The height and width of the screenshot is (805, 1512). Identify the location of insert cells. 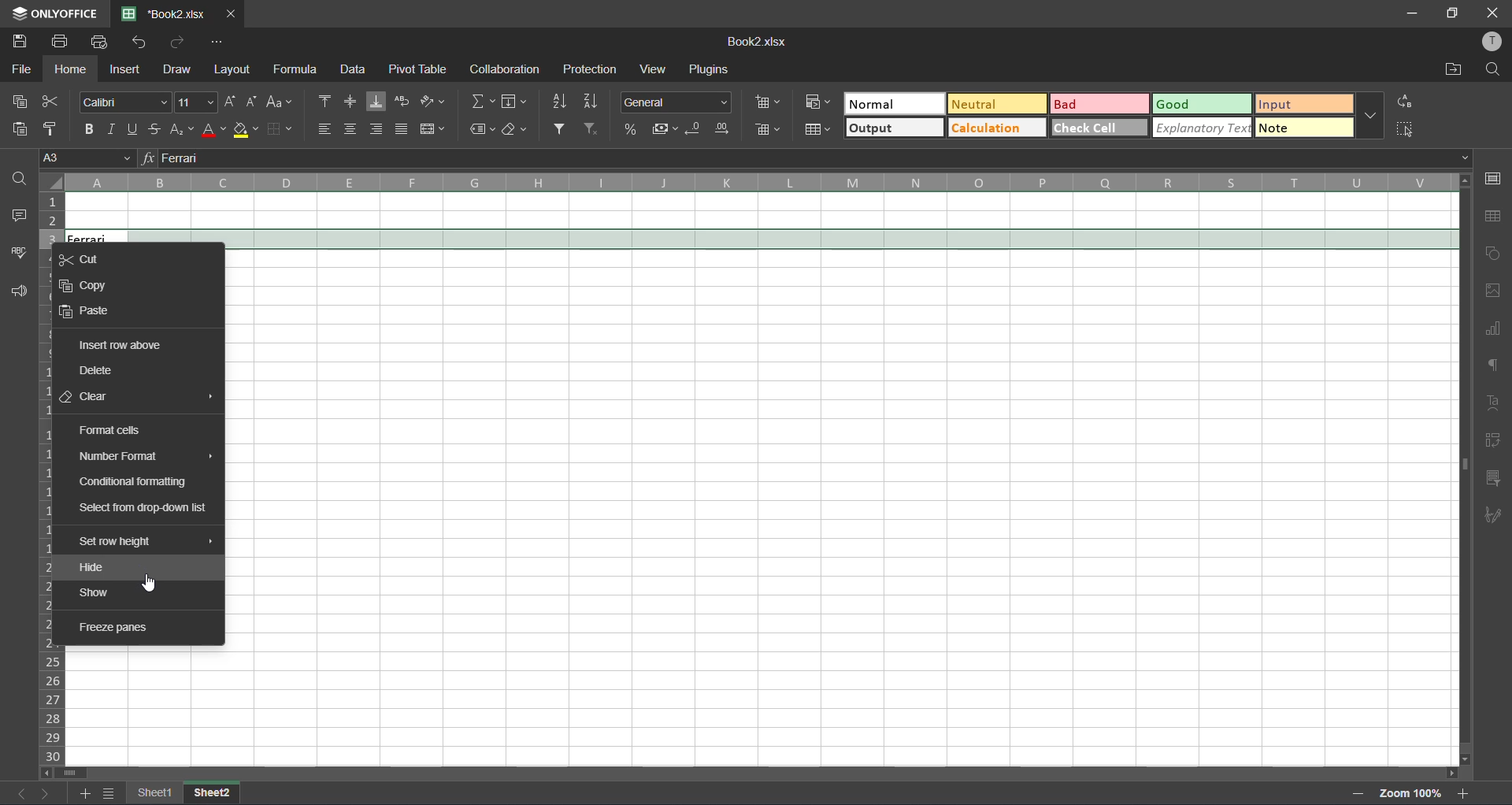
(768, 98).